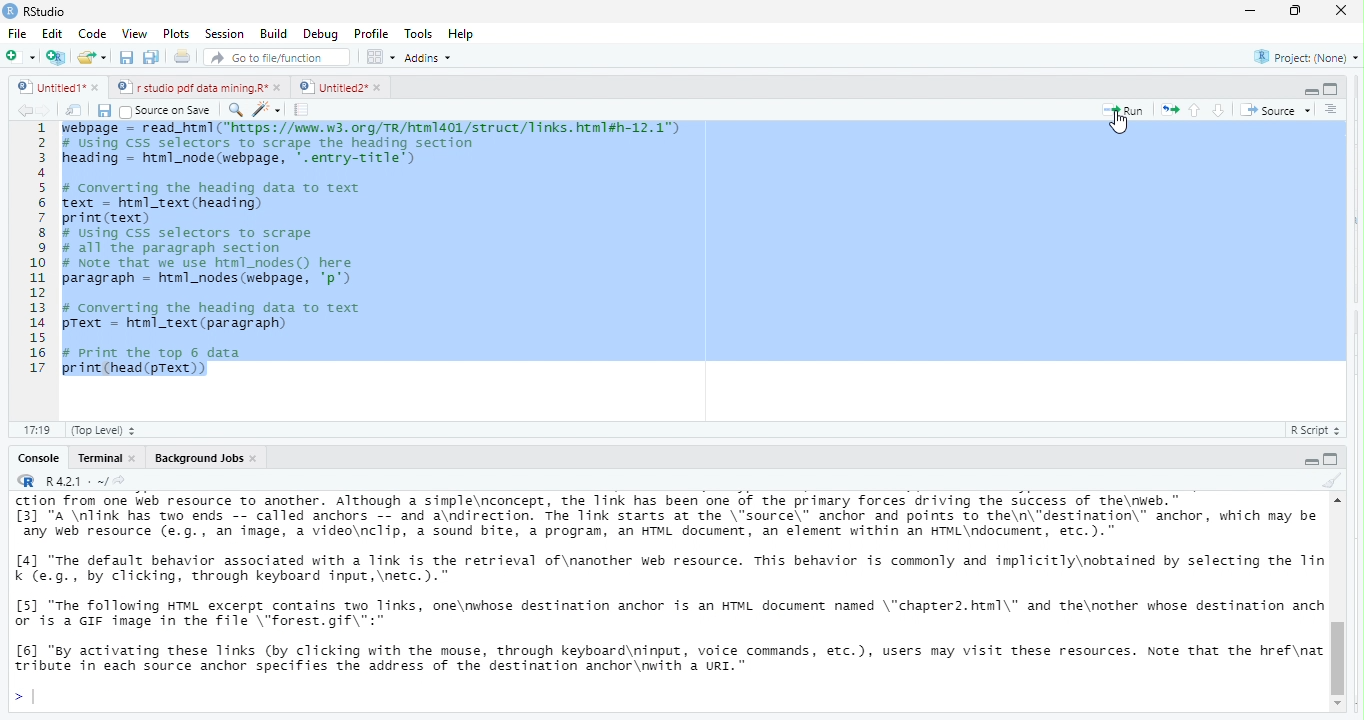  Describe the element at coordinates (17, 34) in the screenshot. I see `File` at that location.